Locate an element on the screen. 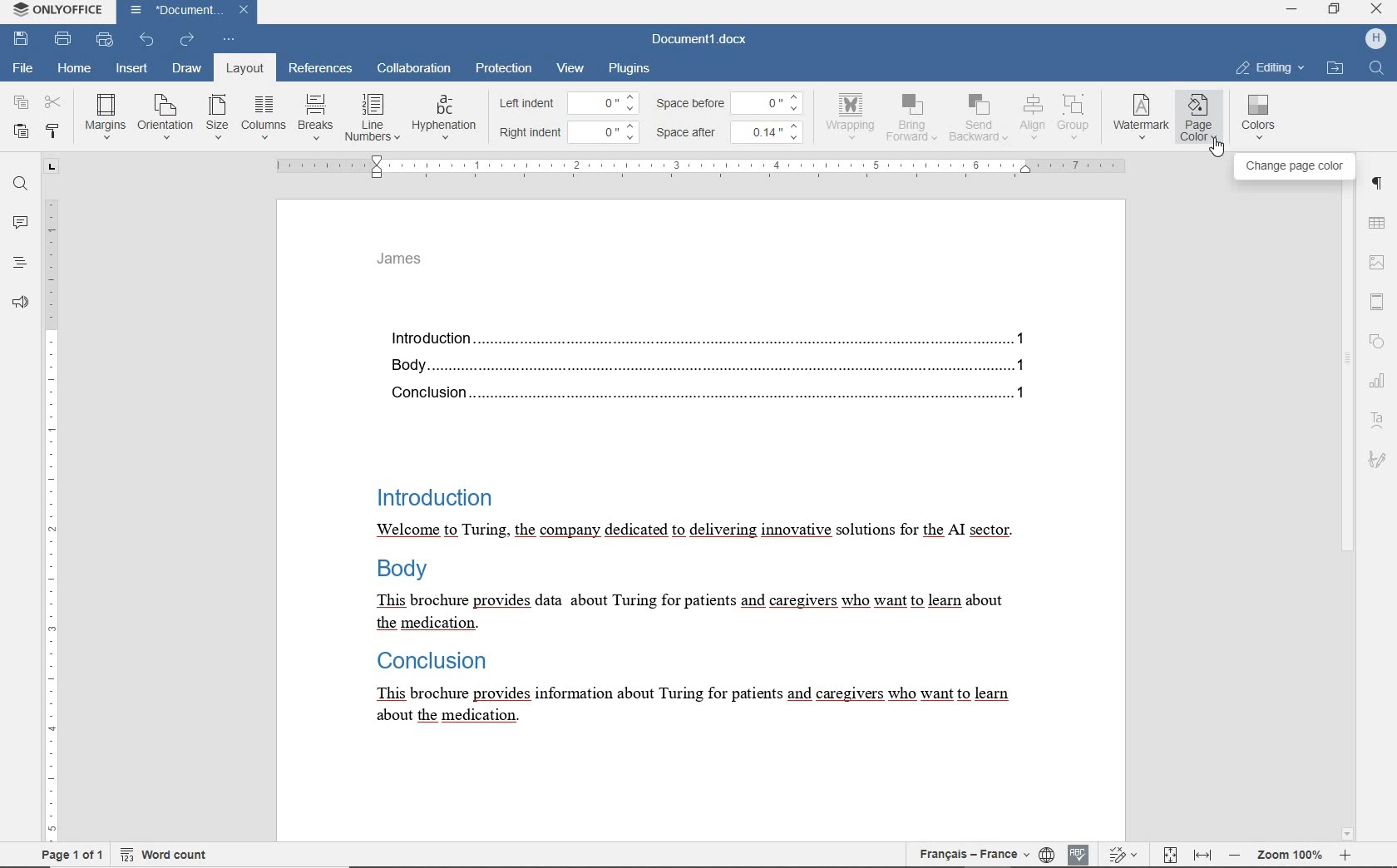 This screenshot has height=868, width=1397. customize quick access toolbar is located at coordinates (229, 39).